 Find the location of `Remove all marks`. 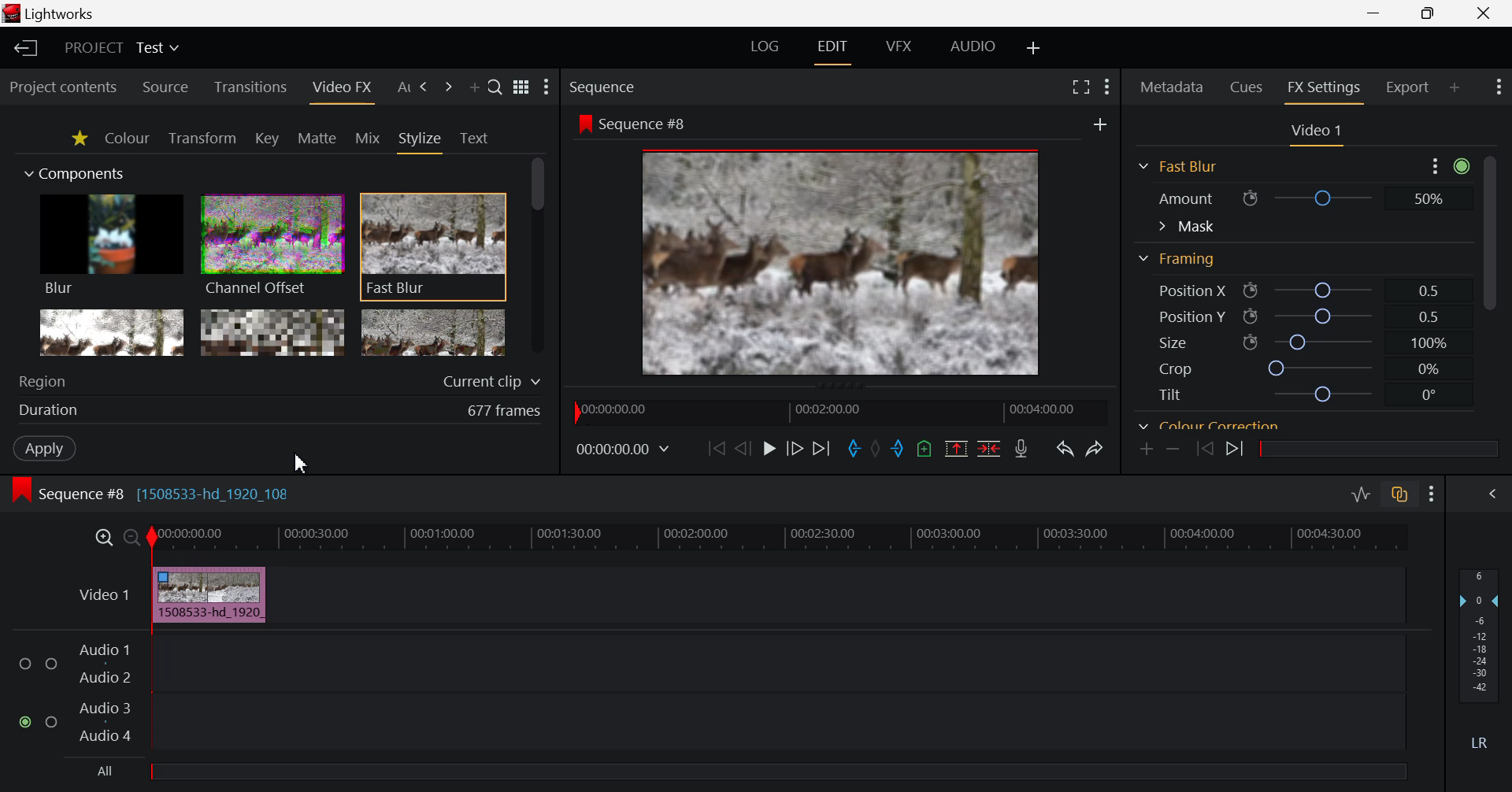

Remove all marks is located at coordinates (877, 448).